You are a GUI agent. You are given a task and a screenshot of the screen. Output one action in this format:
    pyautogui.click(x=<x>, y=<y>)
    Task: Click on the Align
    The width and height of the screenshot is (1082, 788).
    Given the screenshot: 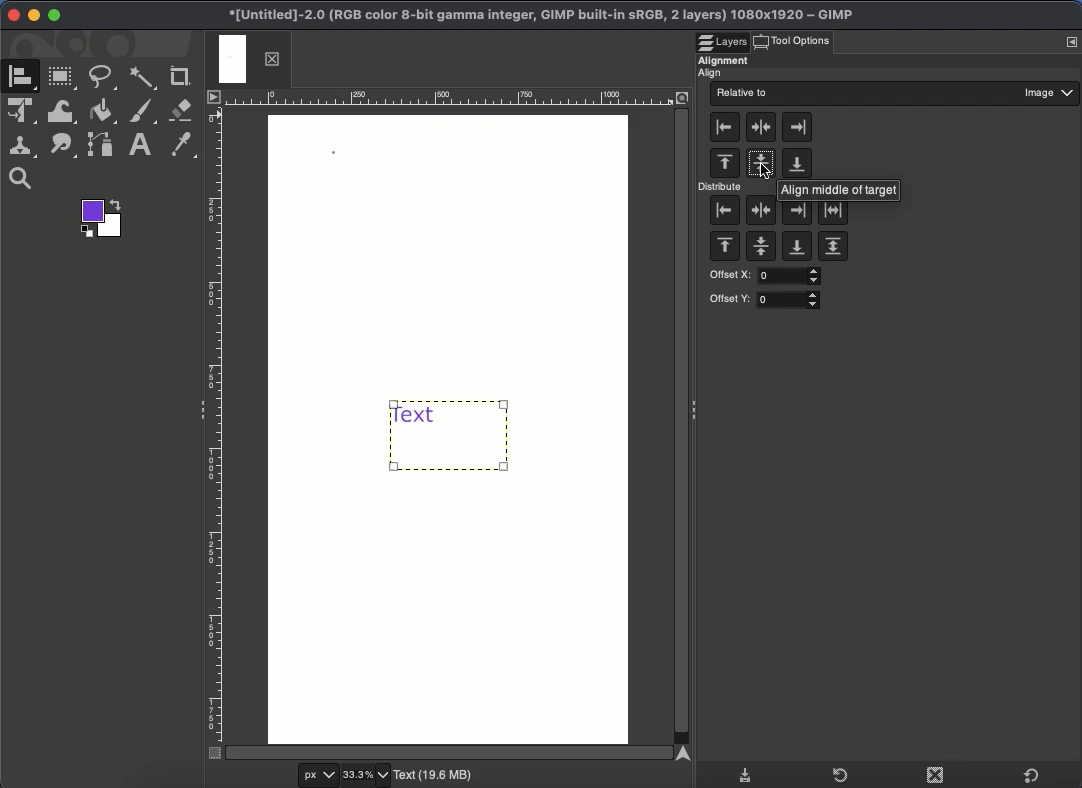 What is the action you would take?
    pyautogui.click(x=719, y=73)
    